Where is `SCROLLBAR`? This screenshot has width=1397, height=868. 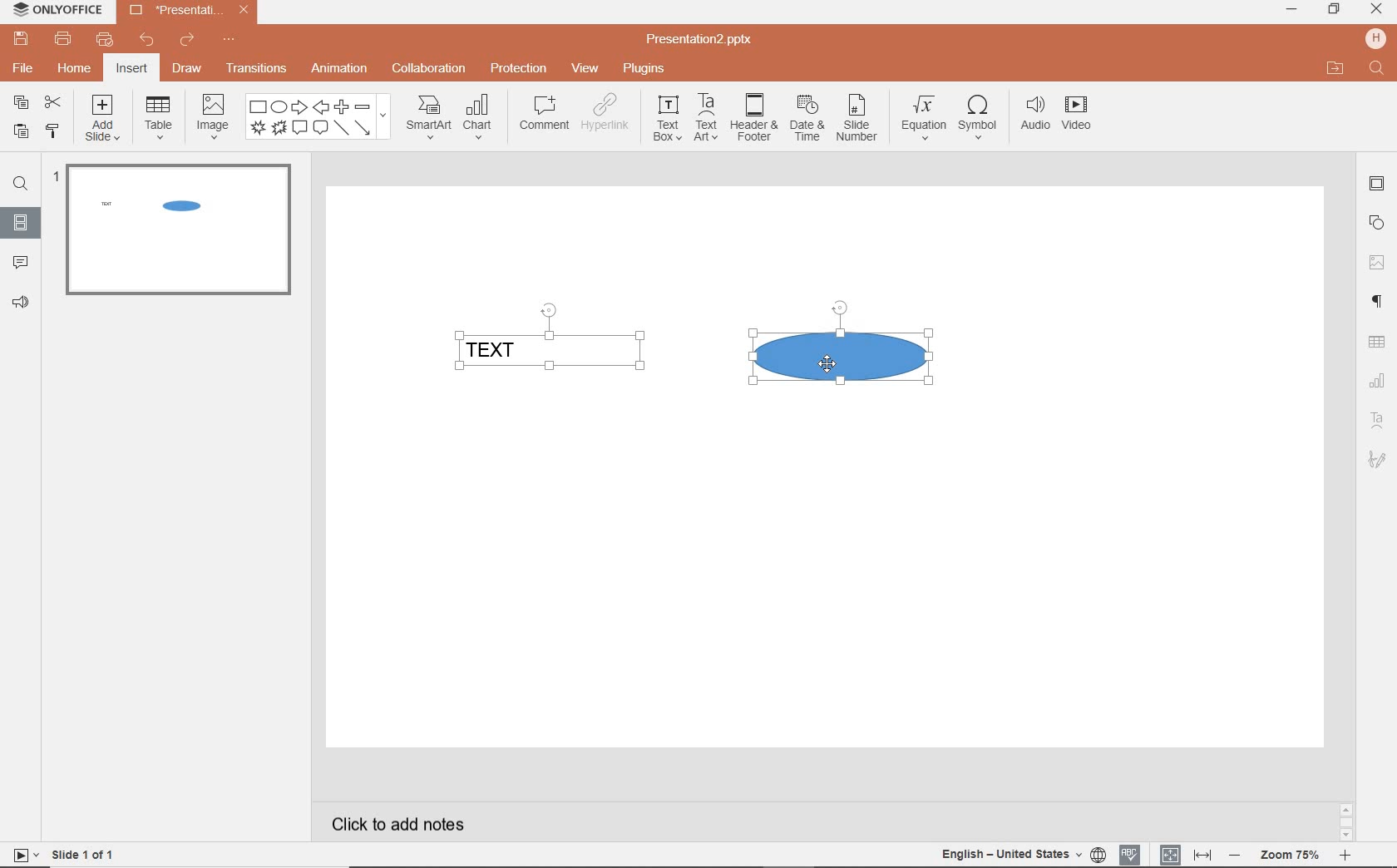
SCROLLBAR is located at coordinates (1346, 821).